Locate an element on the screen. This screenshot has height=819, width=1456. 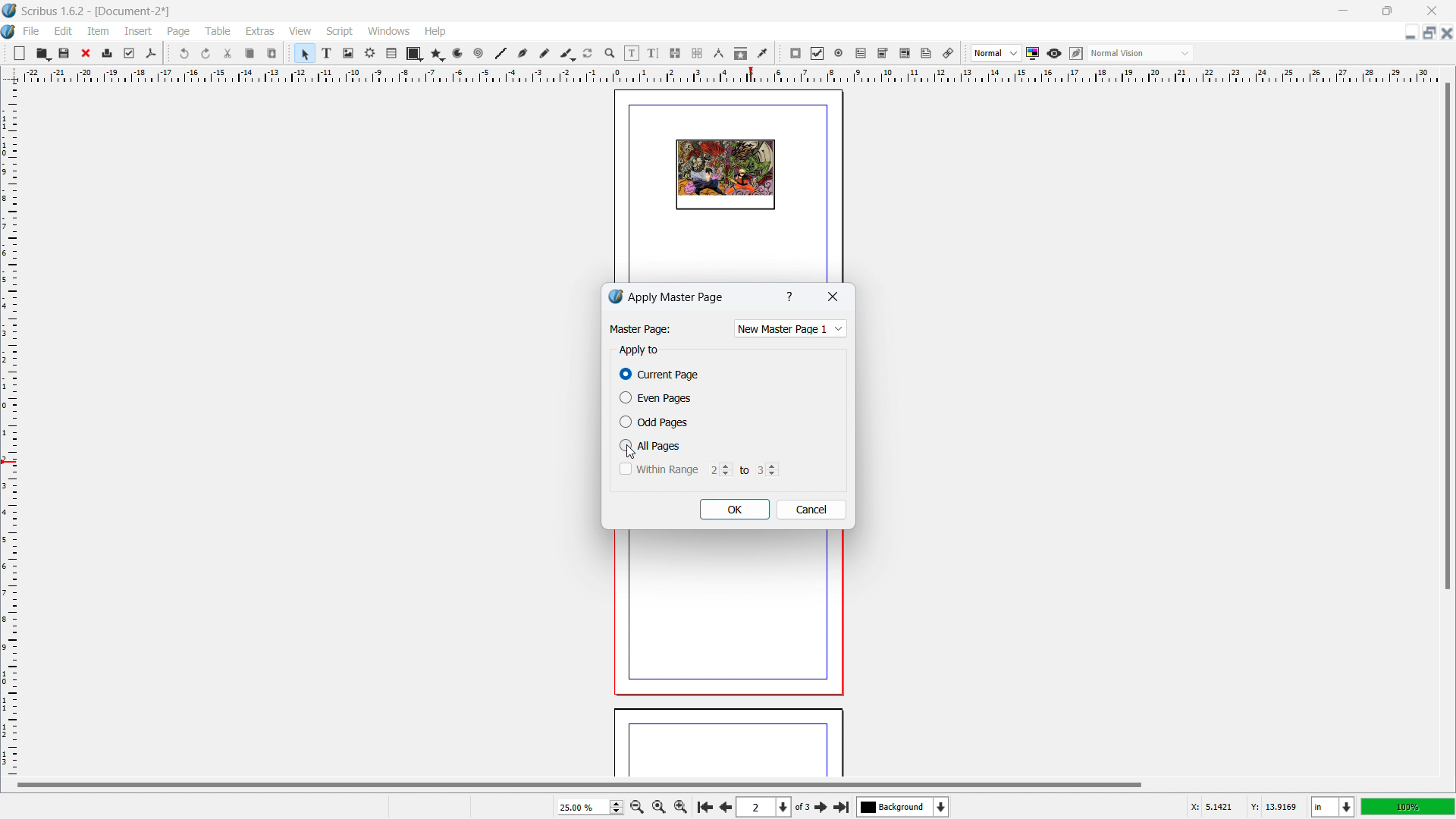
shape is located at coordinates (415, 54).